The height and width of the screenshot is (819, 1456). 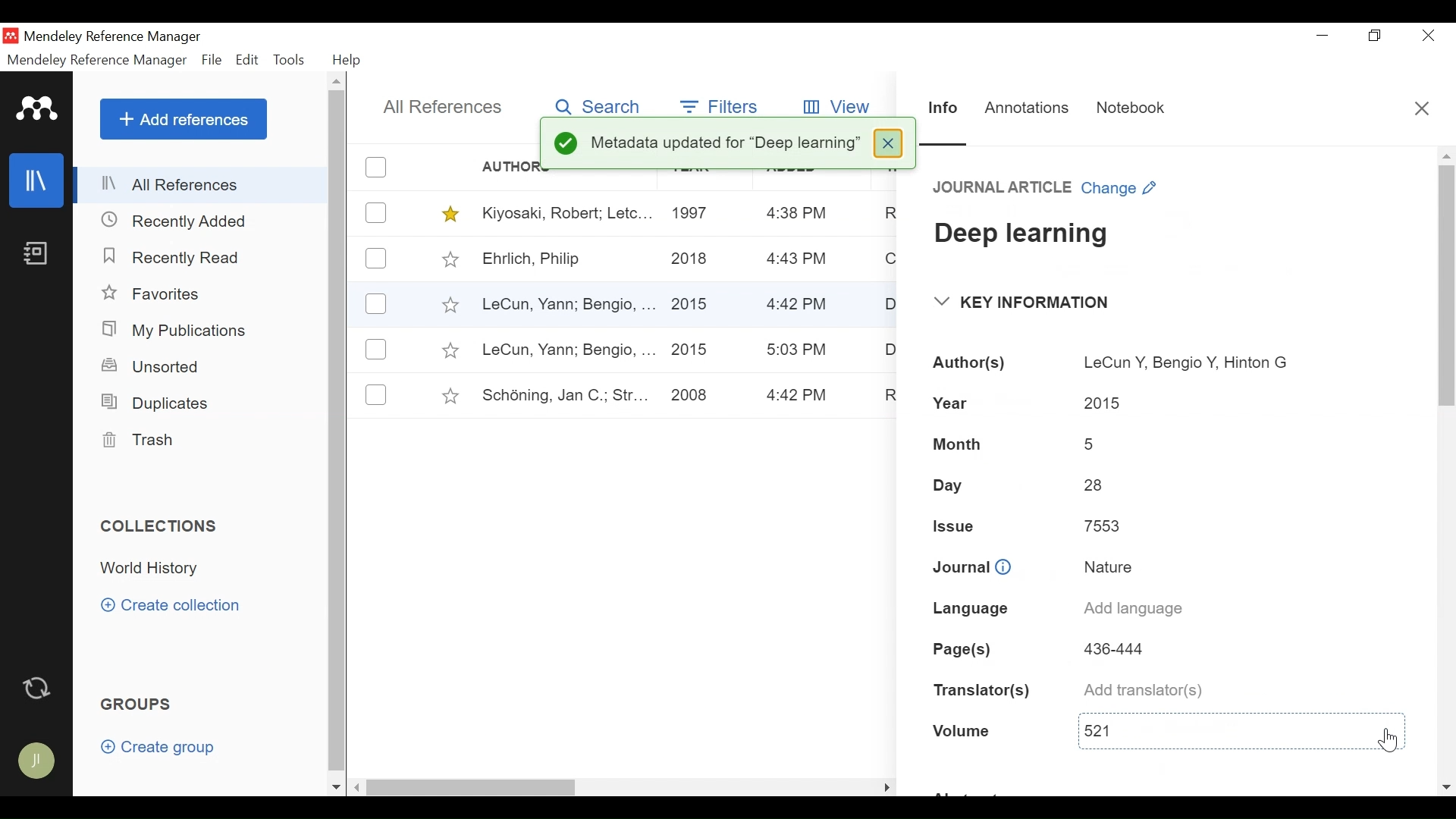 I want to click on Library, so click(x=38, y=180).